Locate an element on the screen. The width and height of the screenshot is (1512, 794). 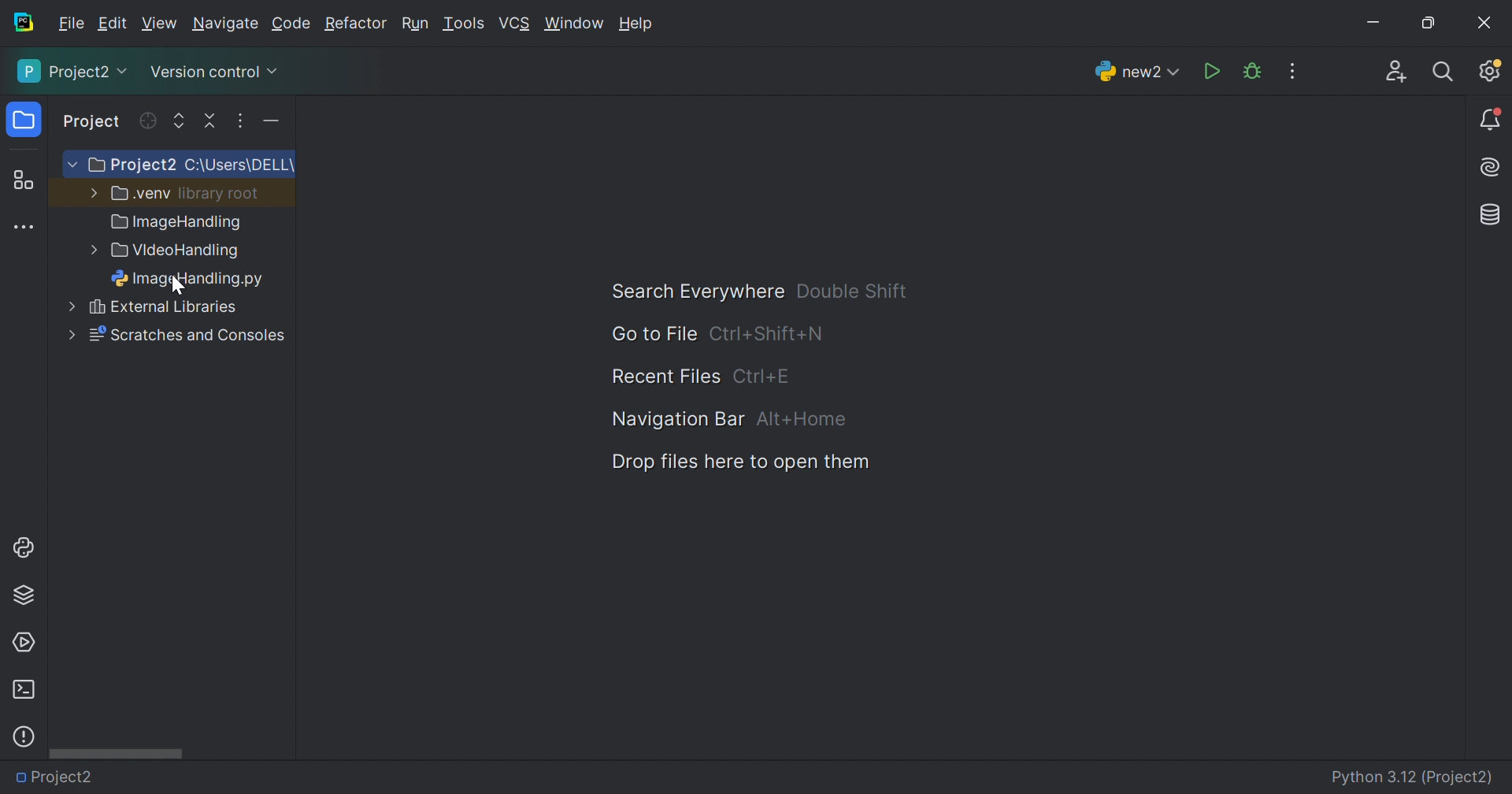
Debug is located at coordinates (1252, 72).